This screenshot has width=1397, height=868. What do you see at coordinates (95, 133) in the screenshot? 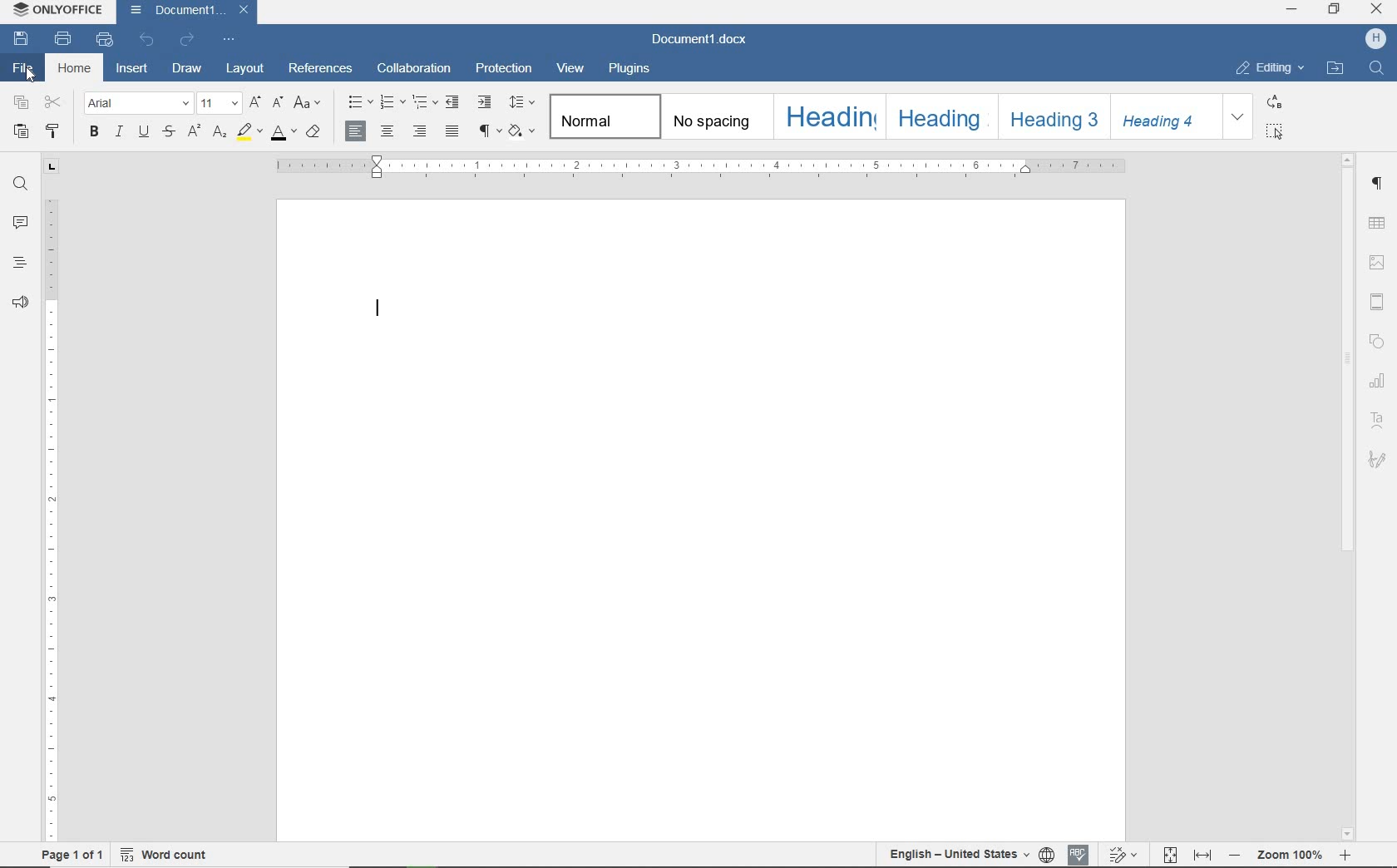
I see `bold` at bounding box center [95, 133].